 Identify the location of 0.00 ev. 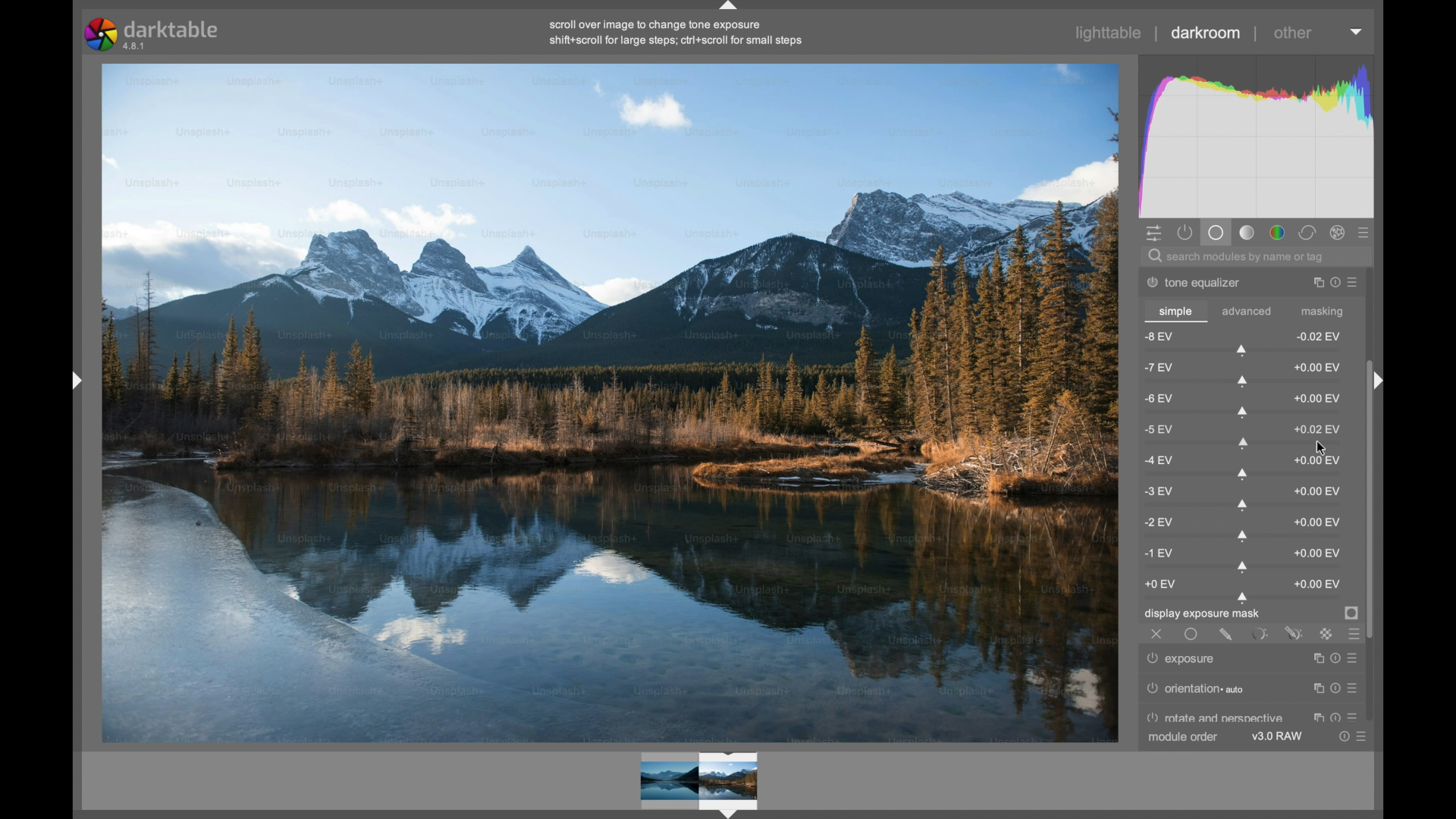
(1318, 398).